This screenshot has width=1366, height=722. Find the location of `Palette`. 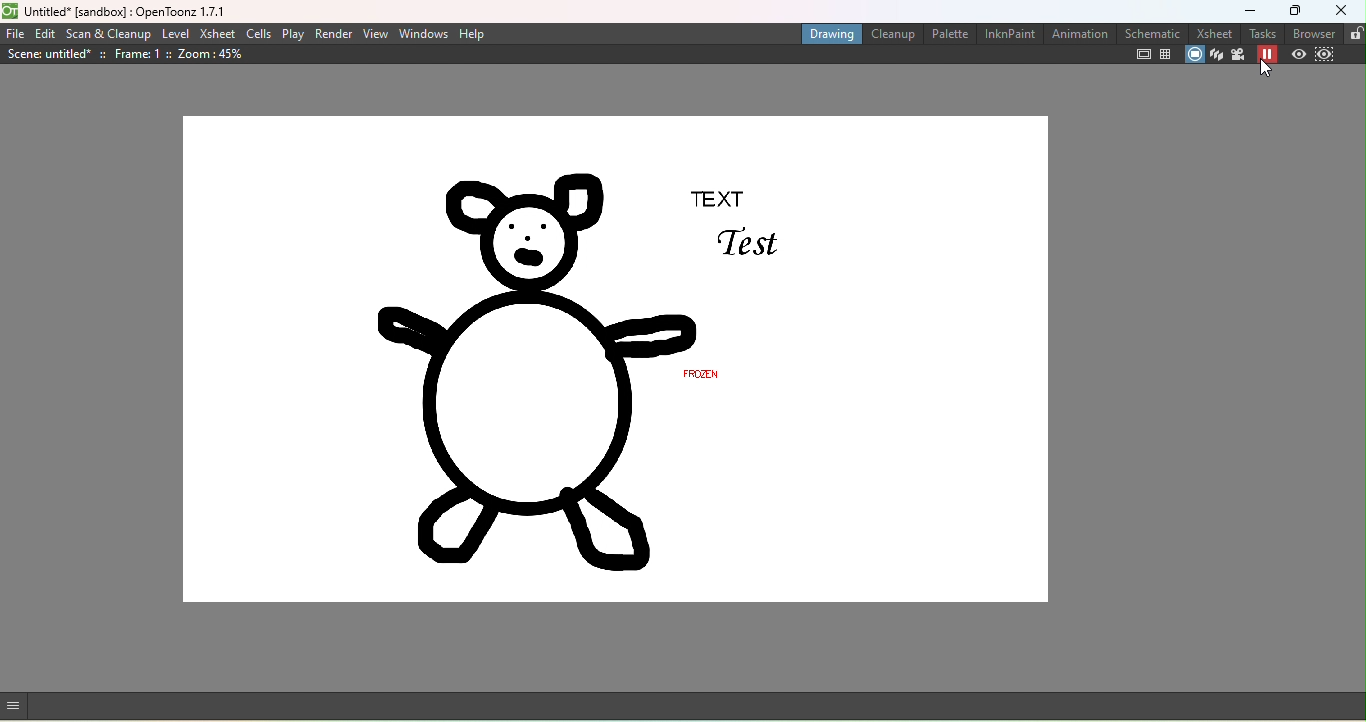

Palette is located at coordinates (948, 35).